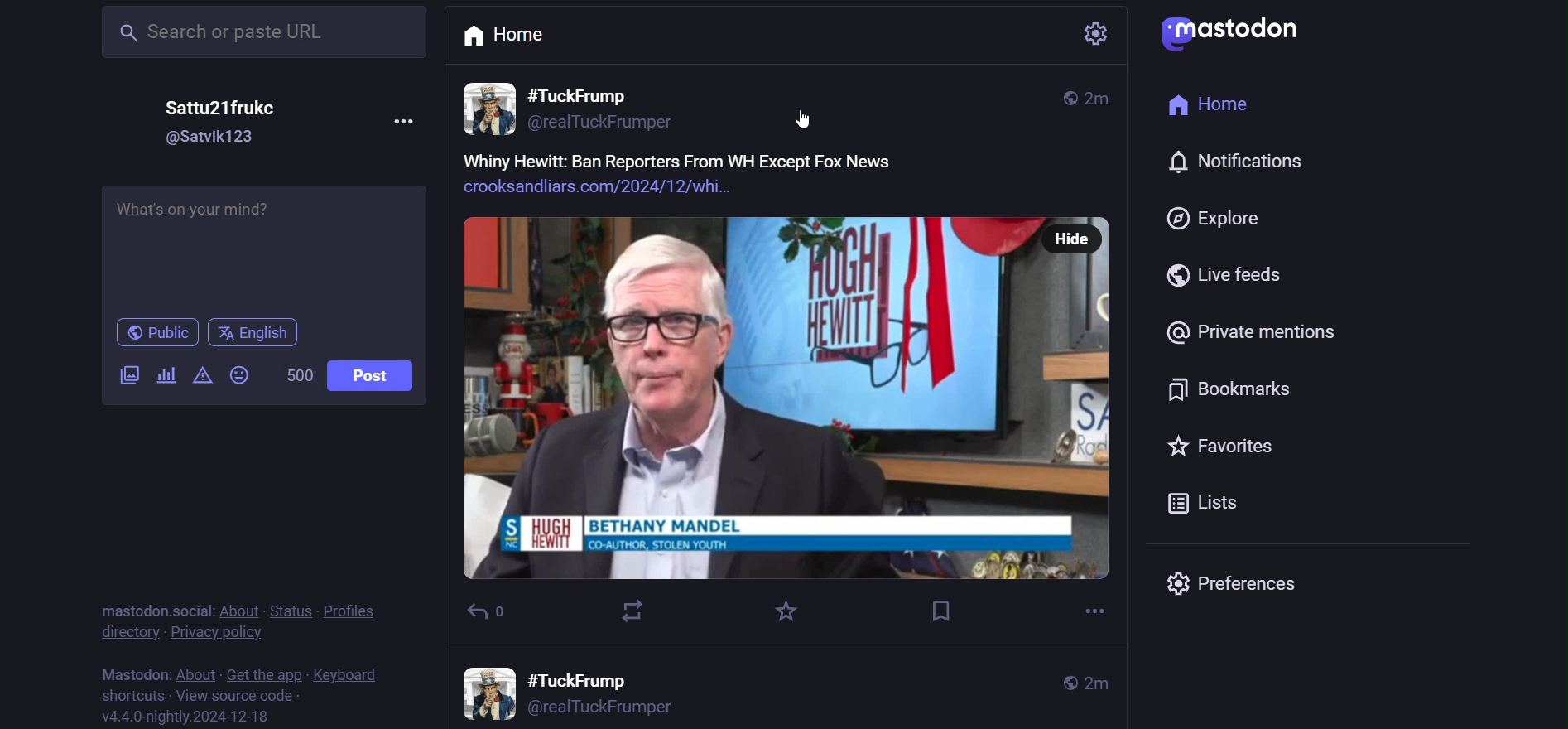 This screenshot has width=1568, height=729. What do you see at coordinates (225, 109) in the screenshot?
I see `name` at bounding box center [225, 109].